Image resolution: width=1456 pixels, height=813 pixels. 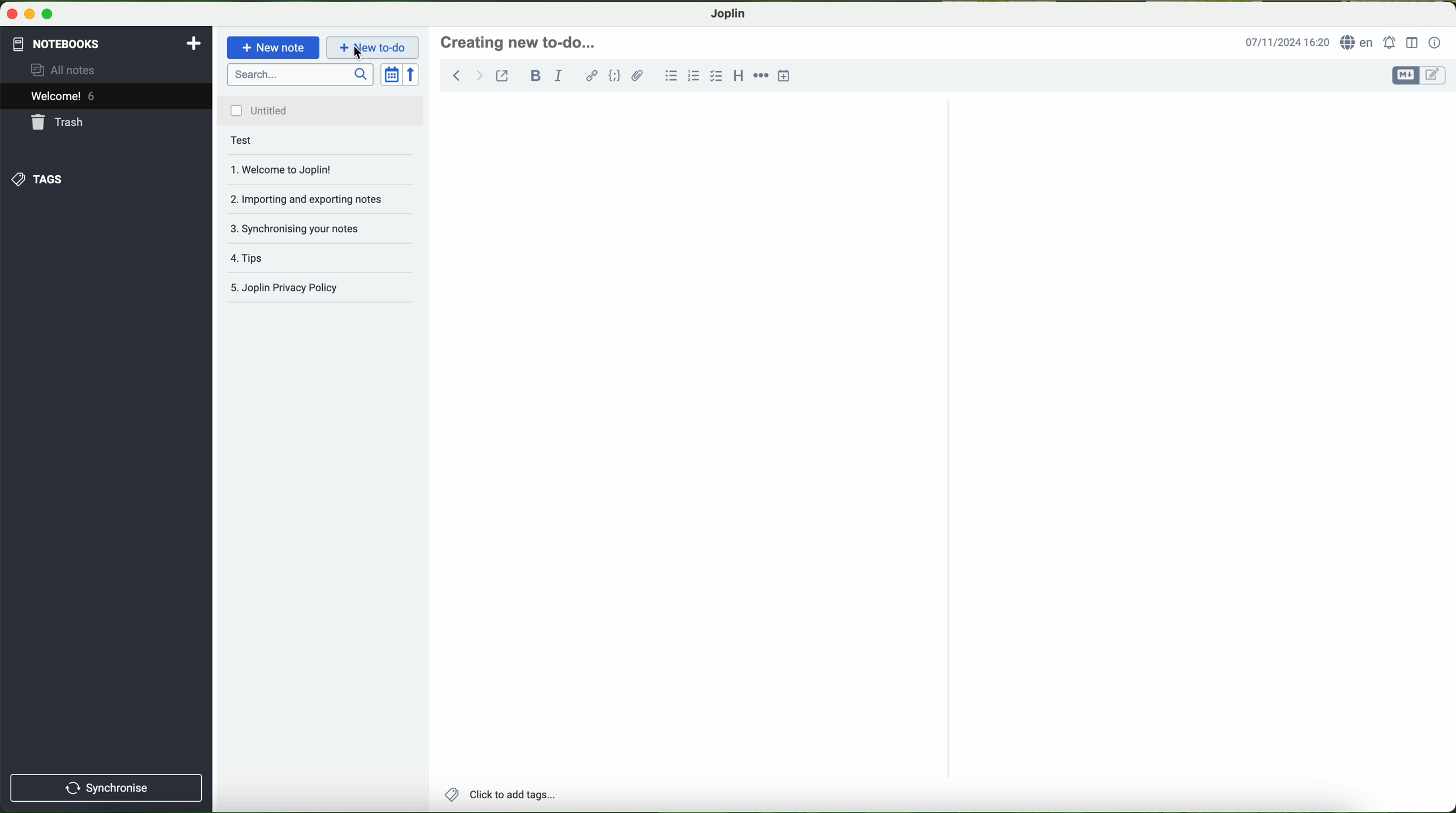 What do you see at coordinates (300, 76) in the screenshot?
I see `search bar` at bounding box center [300, 76].